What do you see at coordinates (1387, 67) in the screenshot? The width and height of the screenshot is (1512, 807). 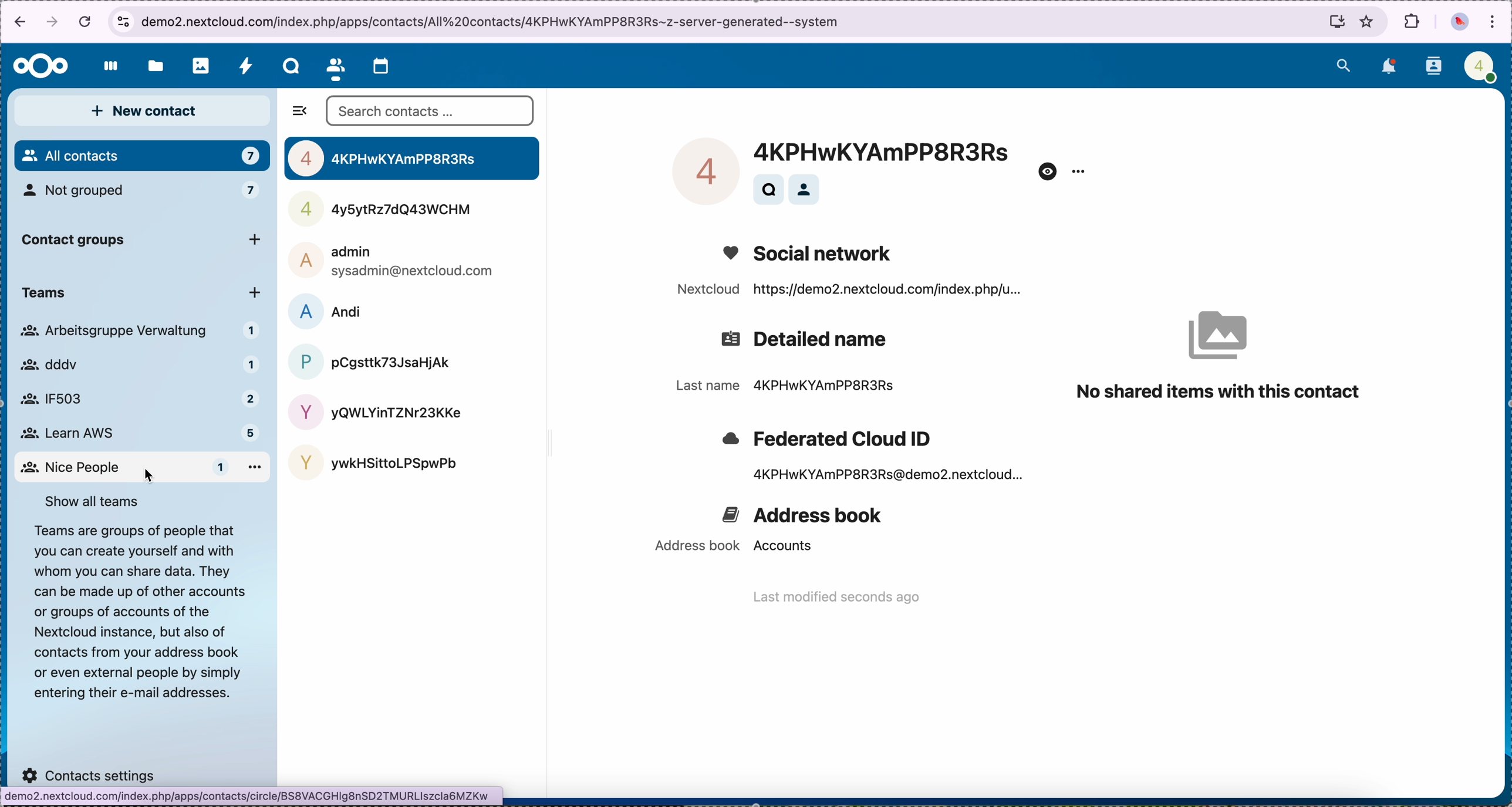 I see `notifications` at bounding box center [1387, 67].